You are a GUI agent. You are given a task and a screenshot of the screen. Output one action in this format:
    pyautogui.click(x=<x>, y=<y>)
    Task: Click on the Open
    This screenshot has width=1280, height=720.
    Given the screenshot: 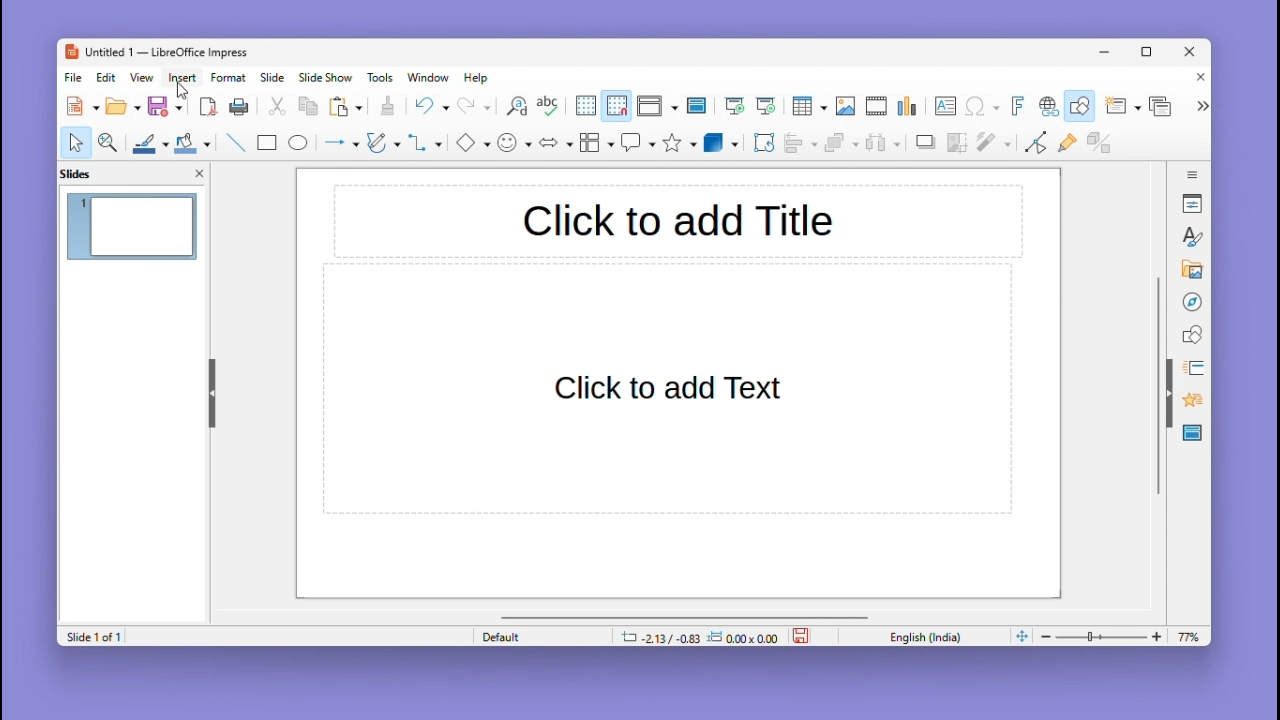 What is the action you would take?
    pyautogui.click(x=123, y=107)
    